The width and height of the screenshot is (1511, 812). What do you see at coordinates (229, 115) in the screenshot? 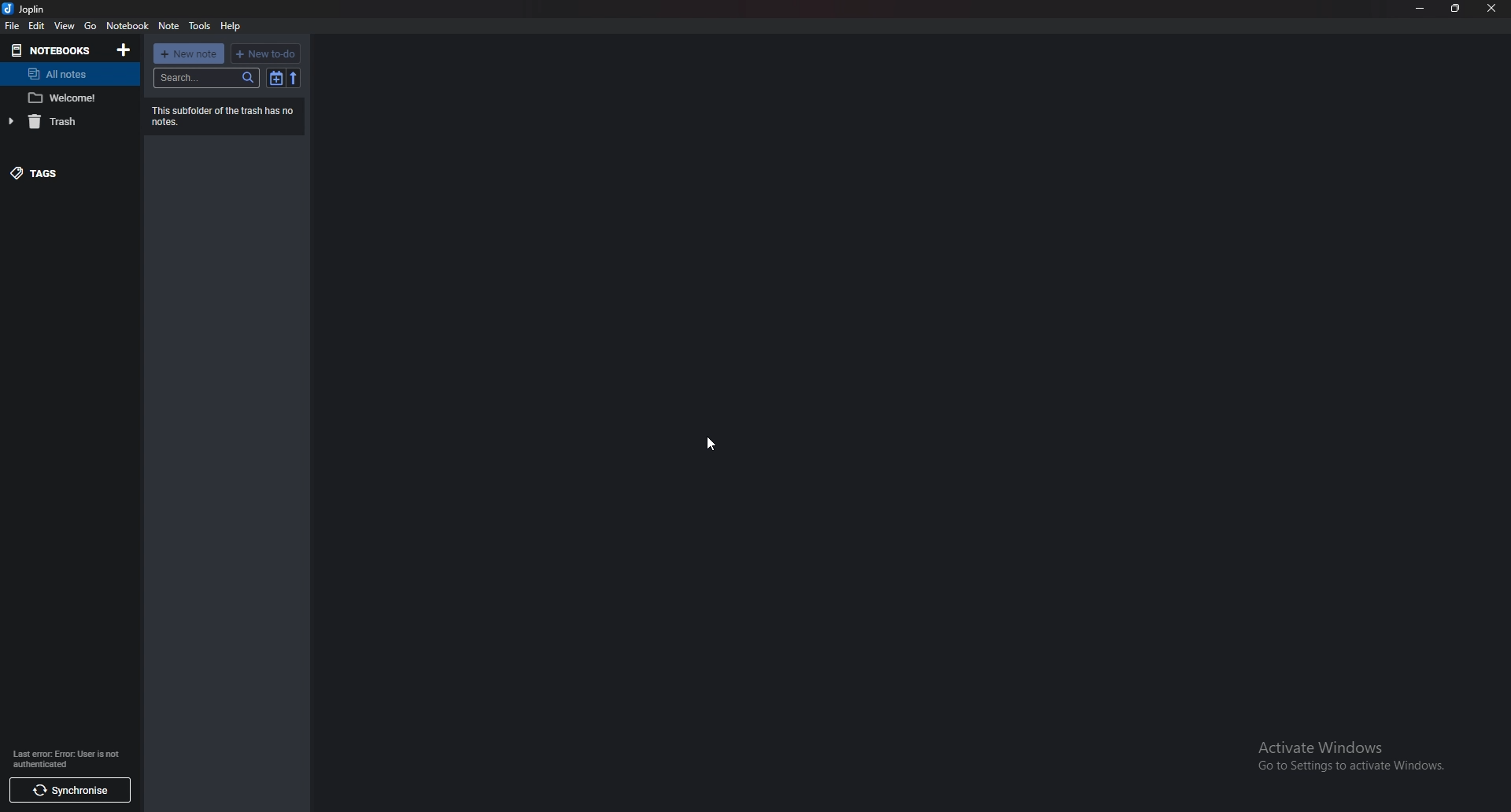
I see `This subfolder of the trash has no notes.` at bounding box center [229, 115].